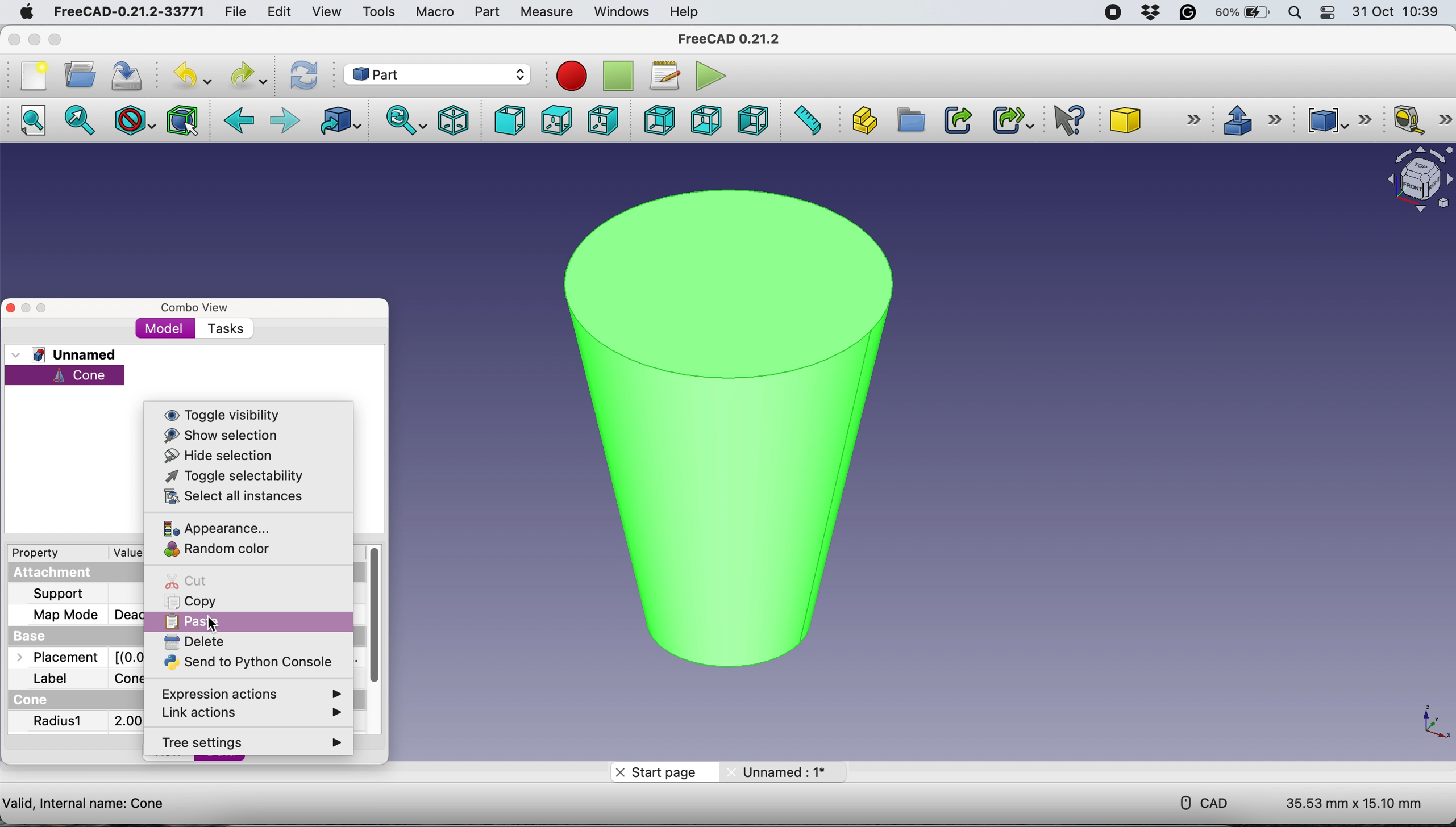 The height and width of the screenshot is (827, 1456). I want to click on create part, so click(864, 119).